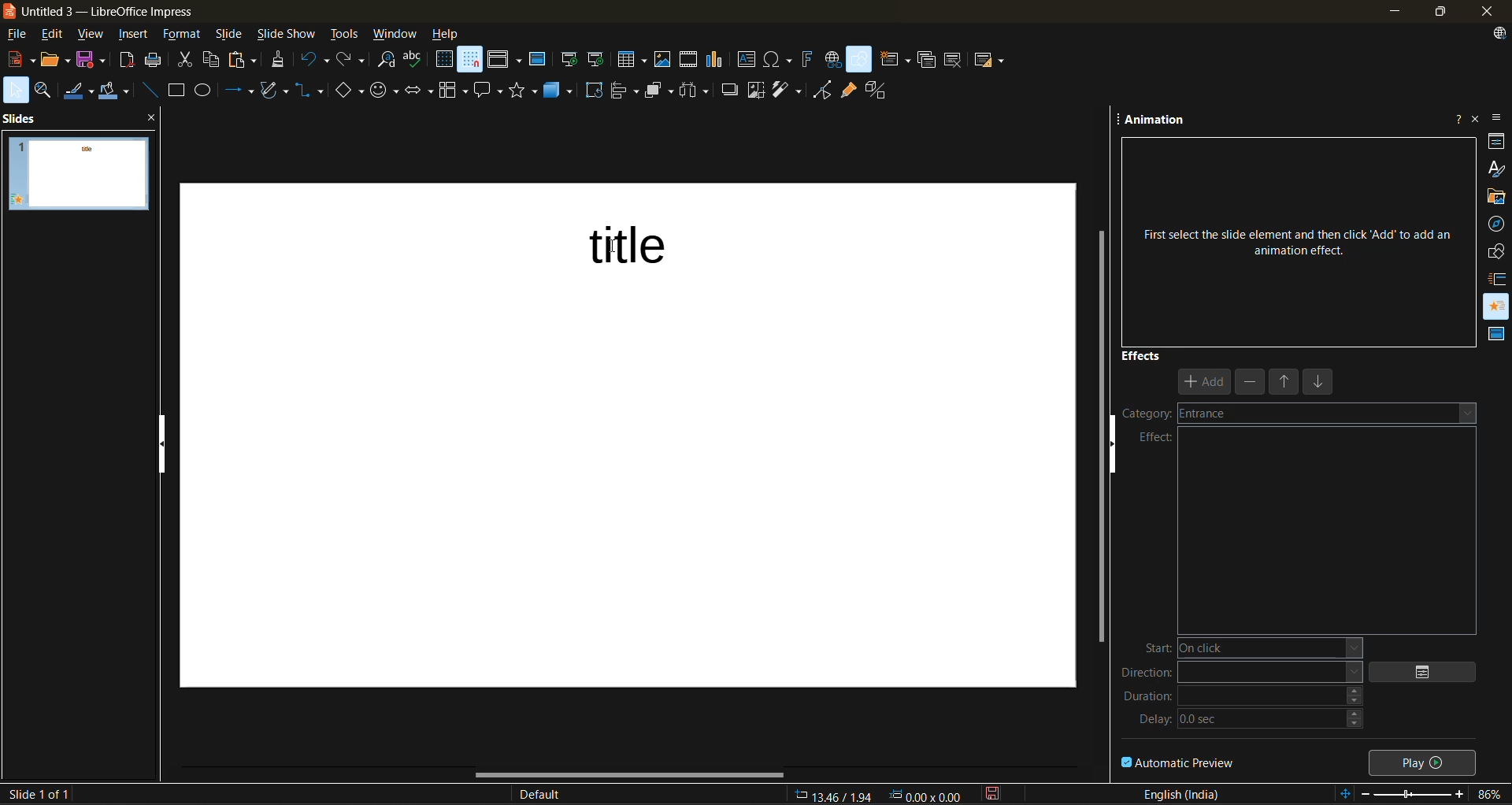  I want to click on fit to slide, so click(1347, 795).